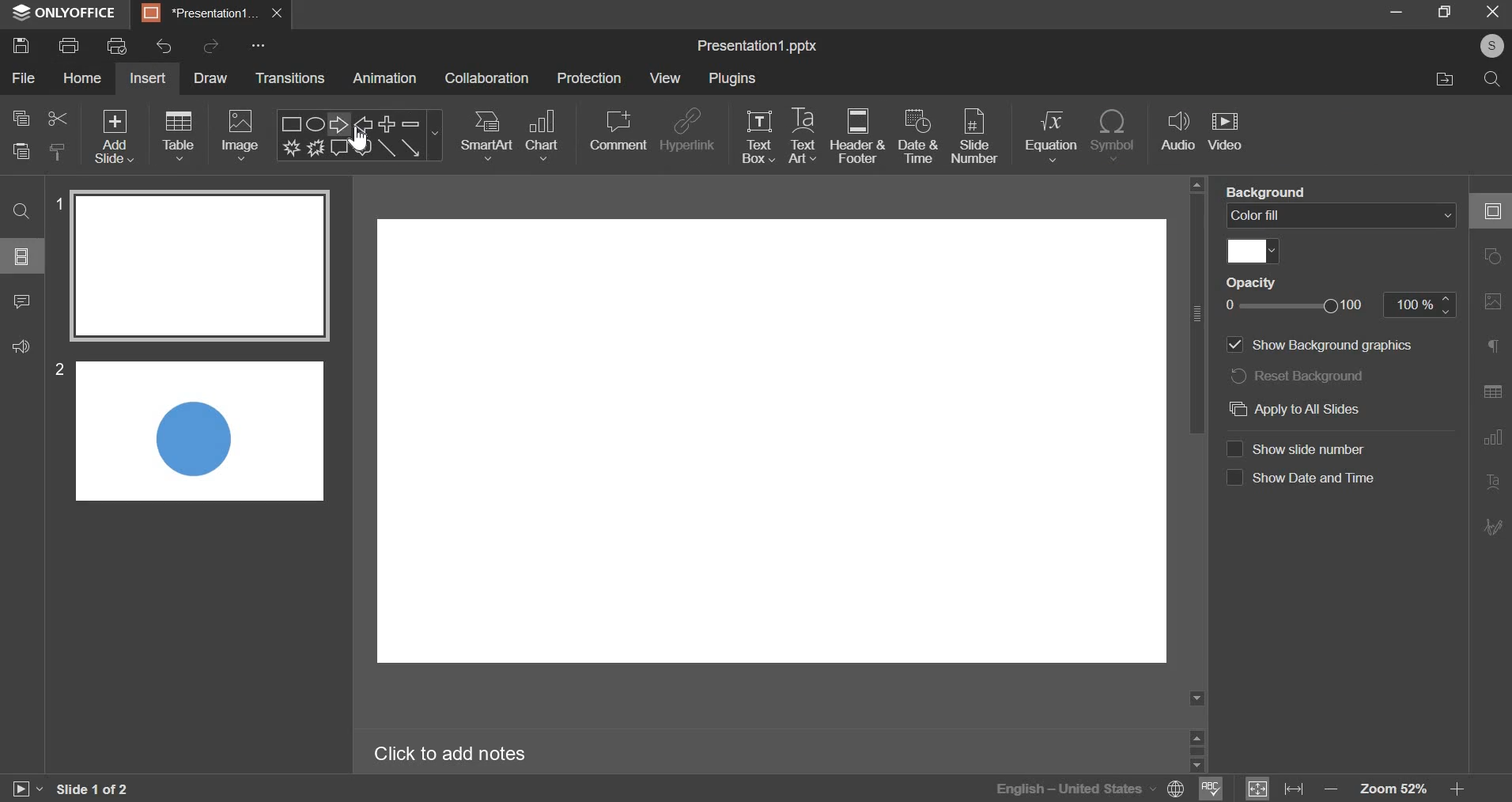 This screenshot has width=1512, height=802. What do you see at coordinates (1113, 138) in the screenshot?
I see `insert symbol` at bounding box center [1113, 138].